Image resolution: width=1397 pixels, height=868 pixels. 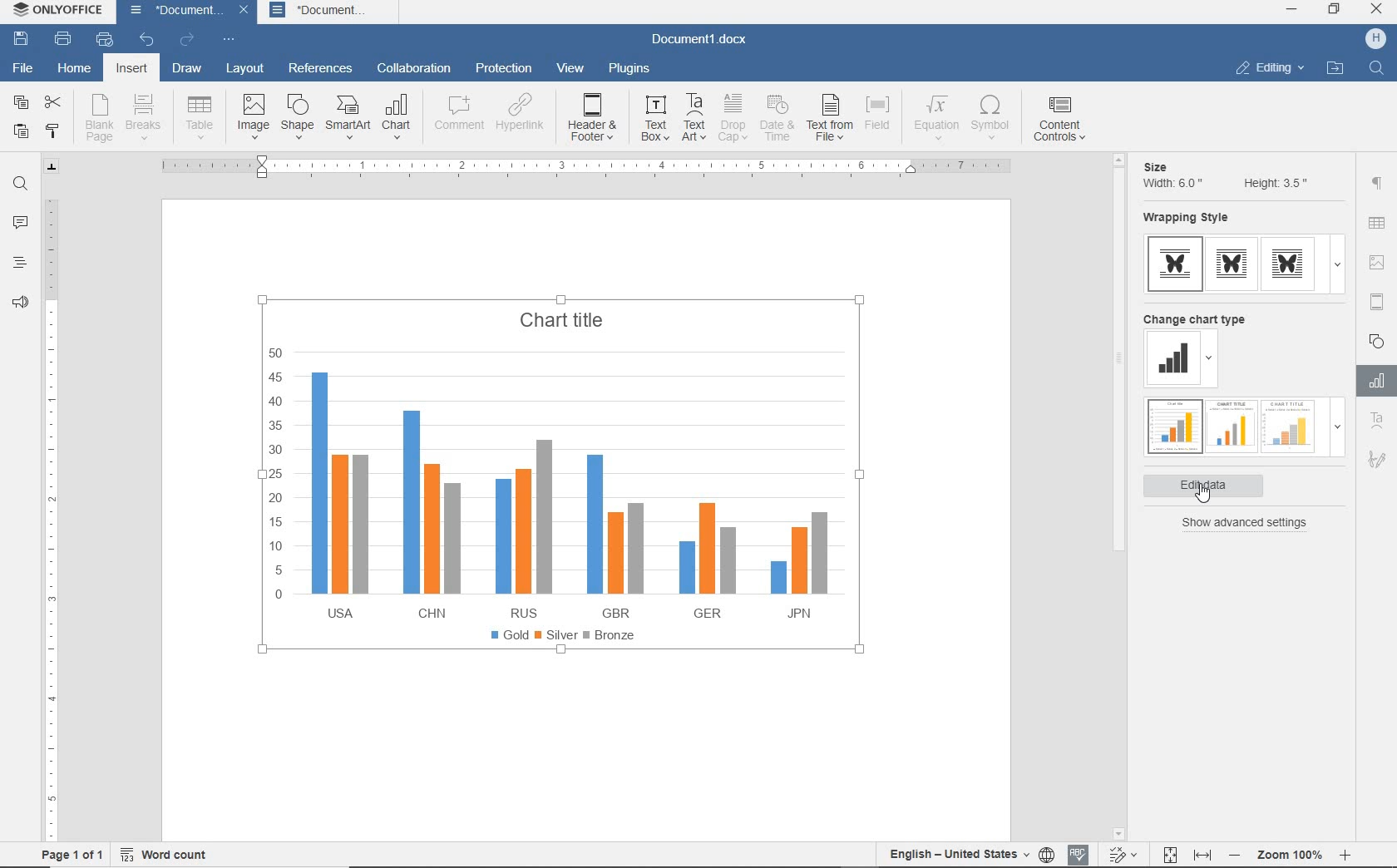 I want to click on wrapping style, so click(x=1191, y=219).